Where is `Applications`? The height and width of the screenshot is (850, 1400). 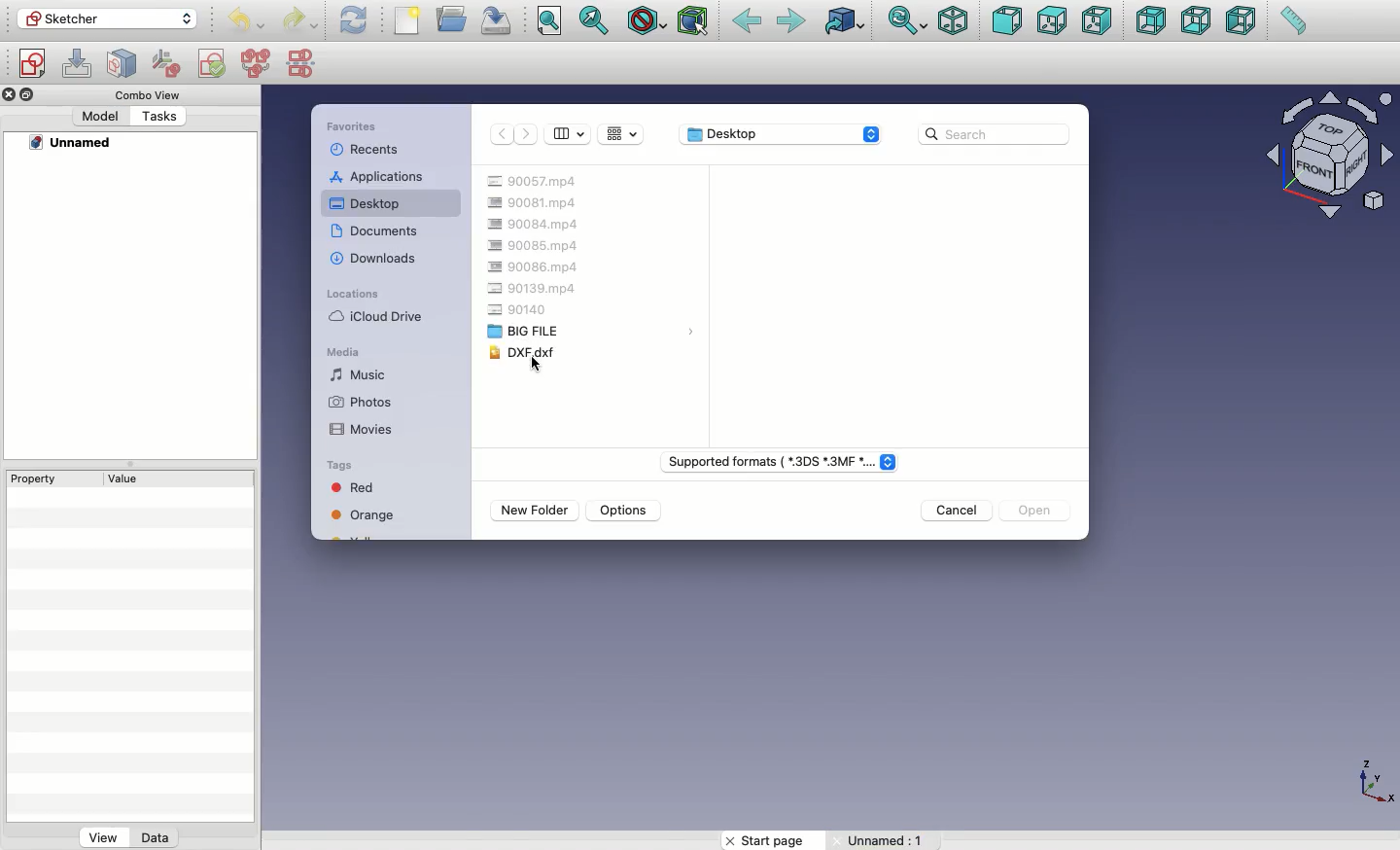 Applications is located at coordinates (376, 177).